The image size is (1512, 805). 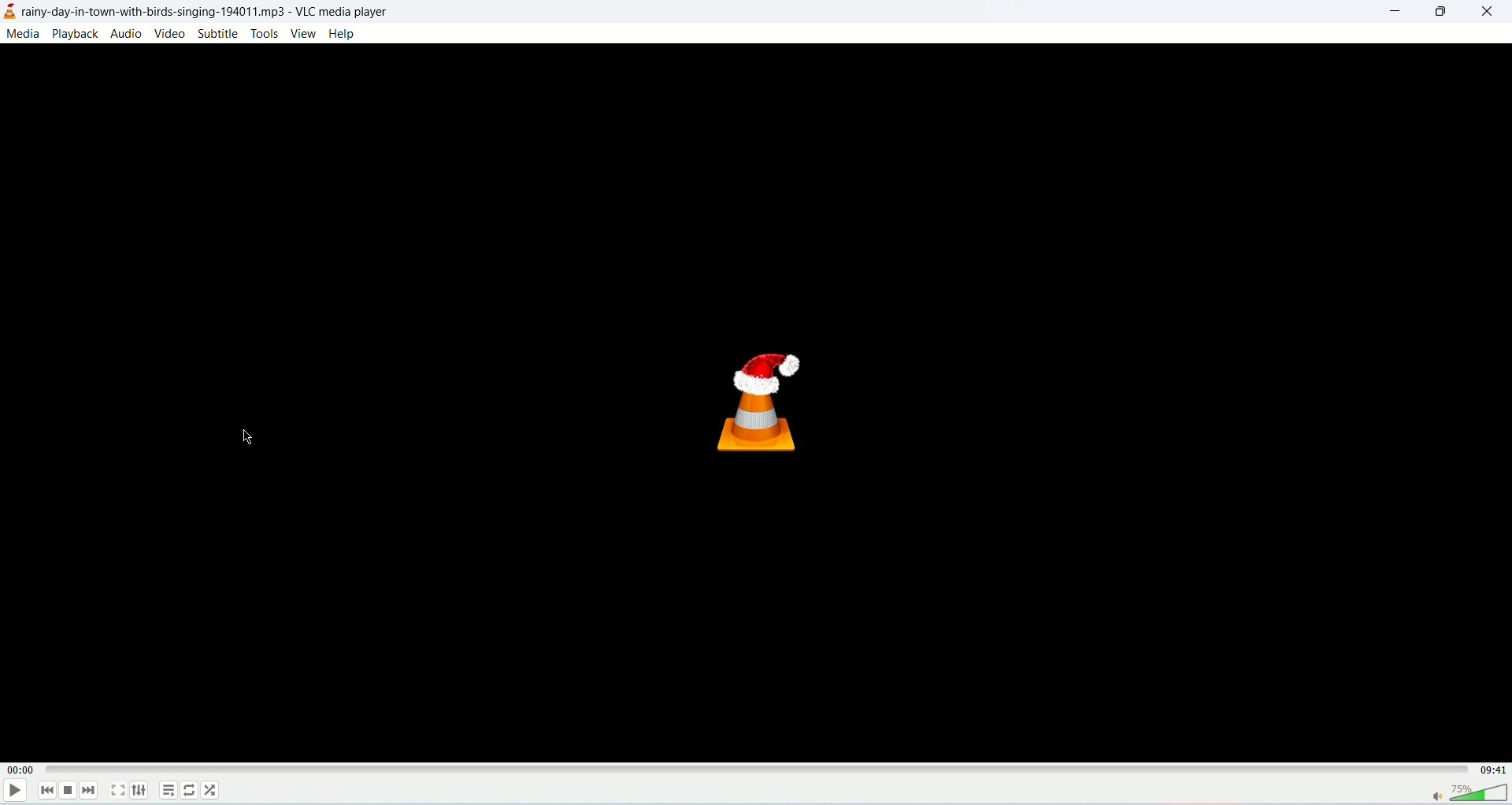 I want to click on progress bar, so click(x=757, y=765).